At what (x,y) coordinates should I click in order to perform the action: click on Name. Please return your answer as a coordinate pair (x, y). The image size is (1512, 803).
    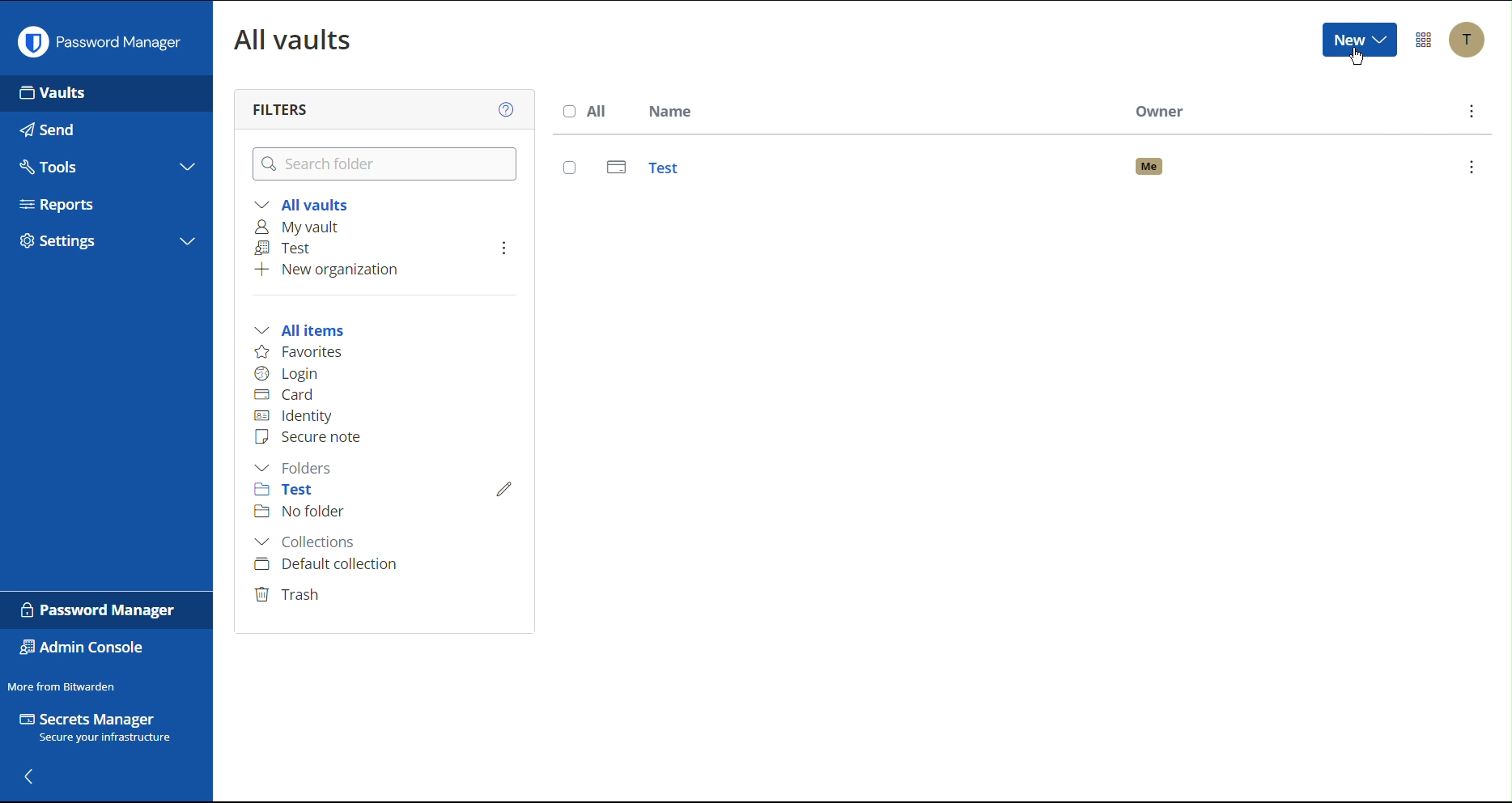
    Looking at the image, I should click on (669, 113).